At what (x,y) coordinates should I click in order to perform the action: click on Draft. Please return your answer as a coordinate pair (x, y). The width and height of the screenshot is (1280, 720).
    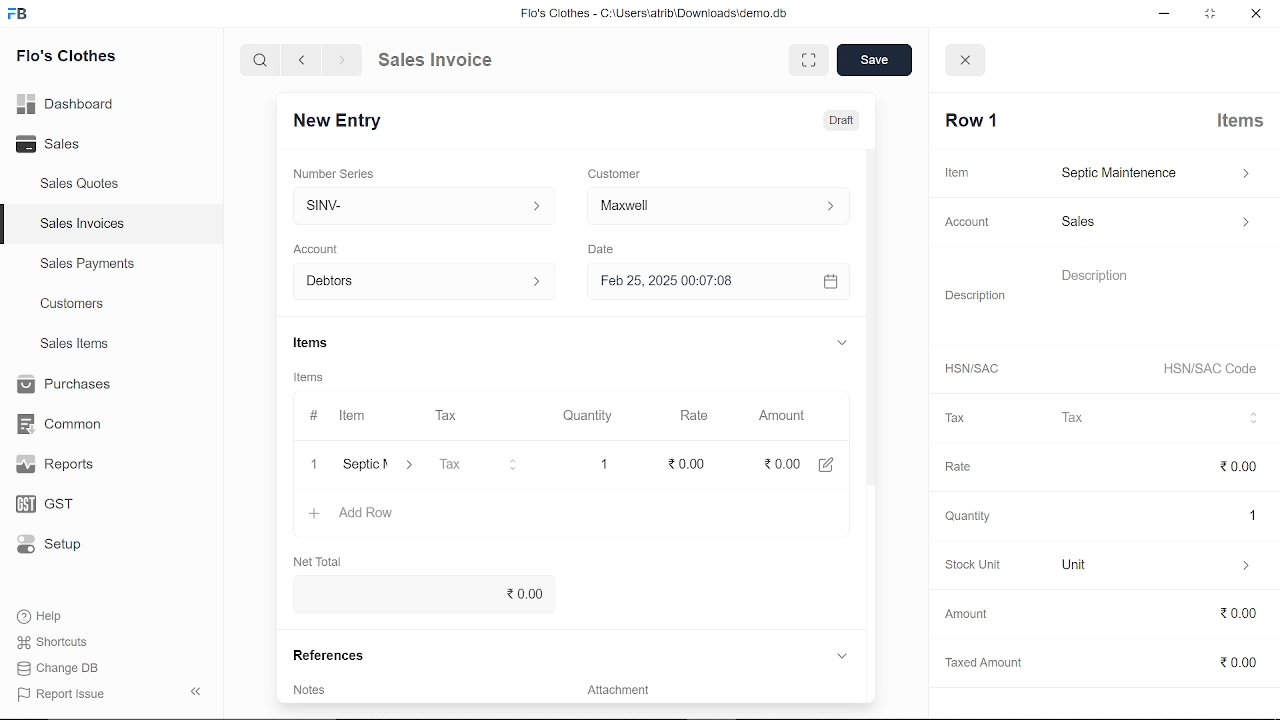
    Looking at the image, I should click on (843, 118).